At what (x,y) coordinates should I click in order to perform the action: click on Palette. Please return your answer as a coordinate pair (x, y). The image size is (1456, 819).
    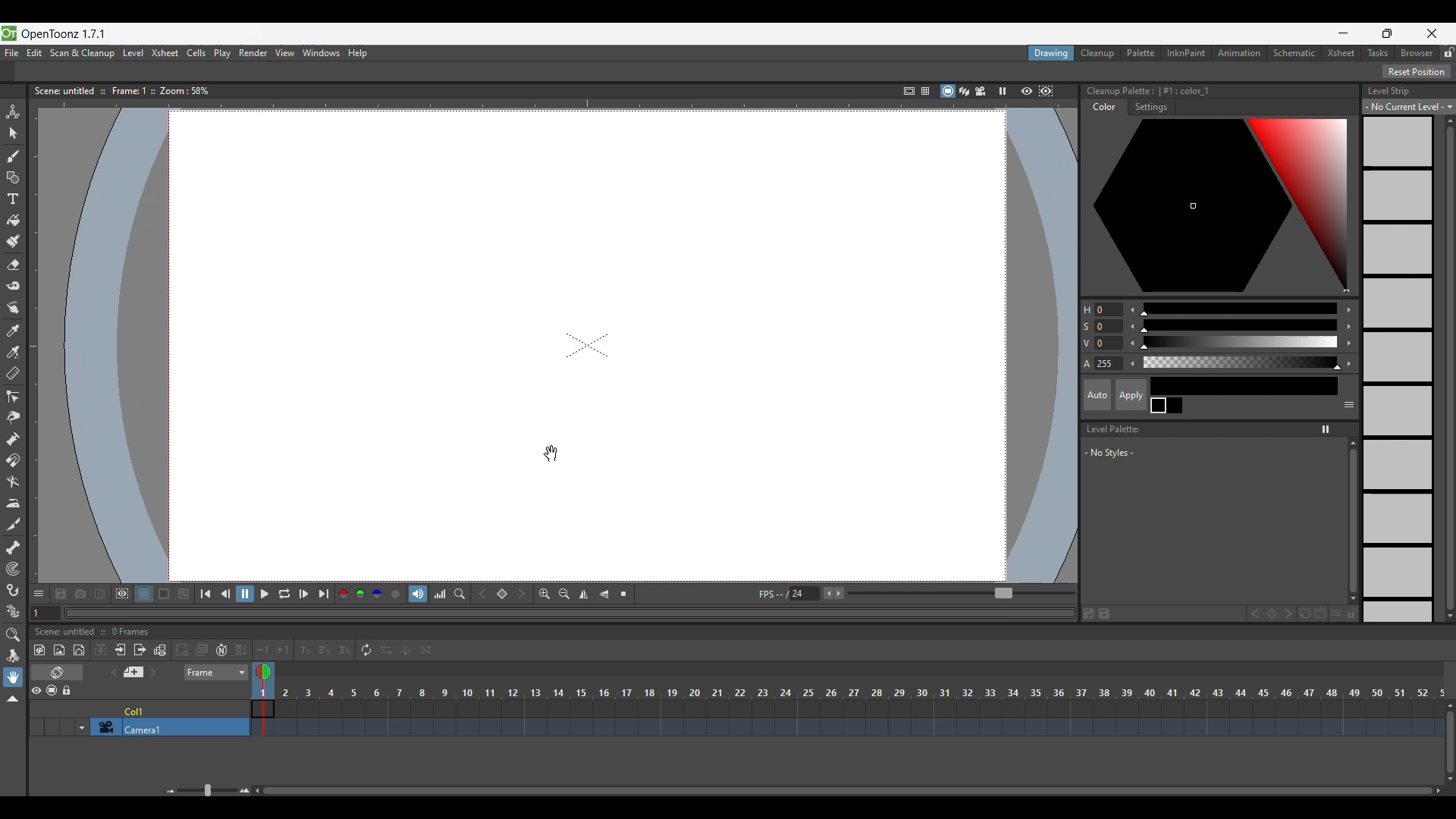
    Looking at the image, I should click on (1140, 53).